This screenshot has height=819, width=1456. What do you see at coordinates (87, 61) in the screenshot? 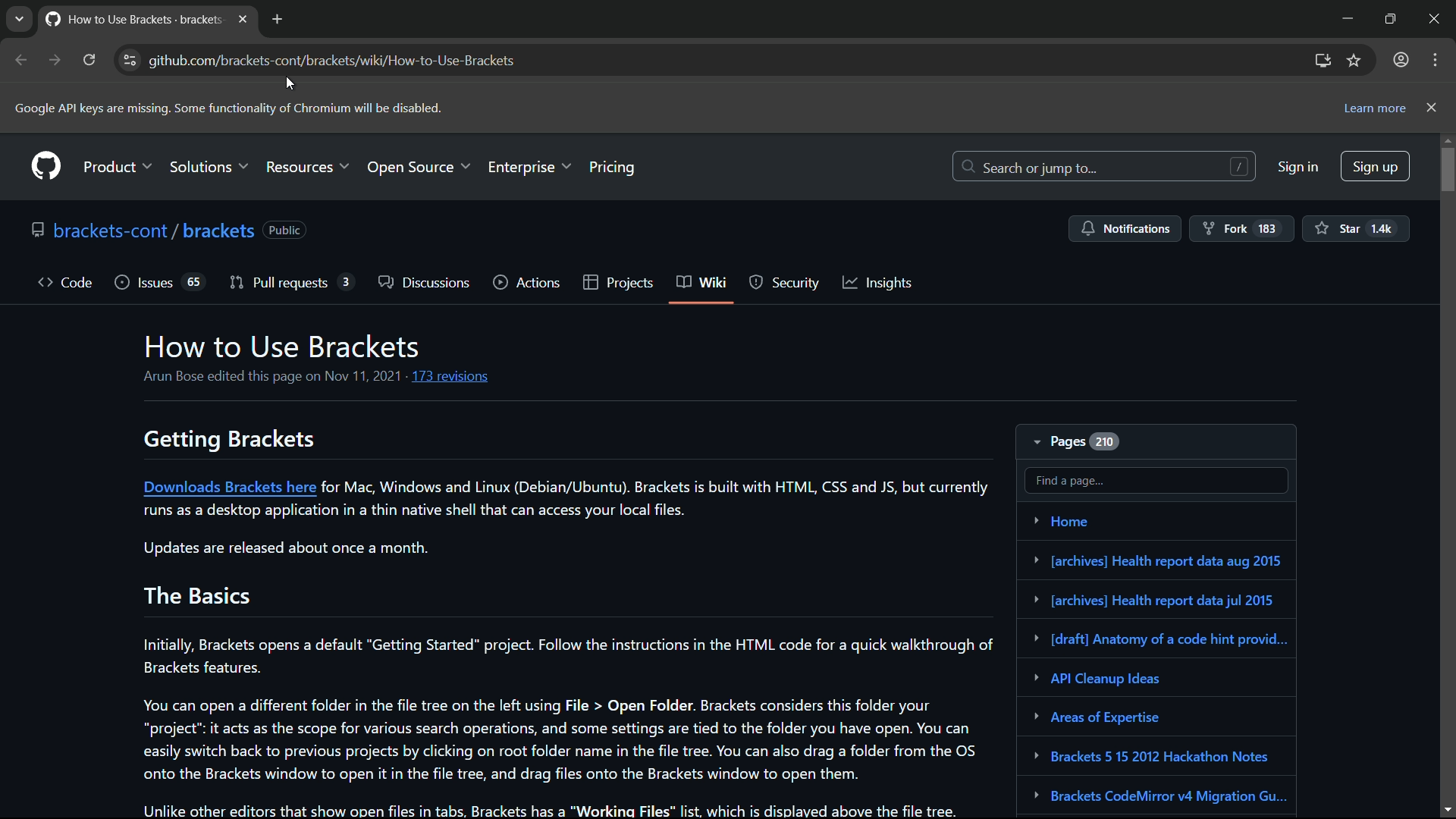
I see `reload` at bounding box center [87, 61].